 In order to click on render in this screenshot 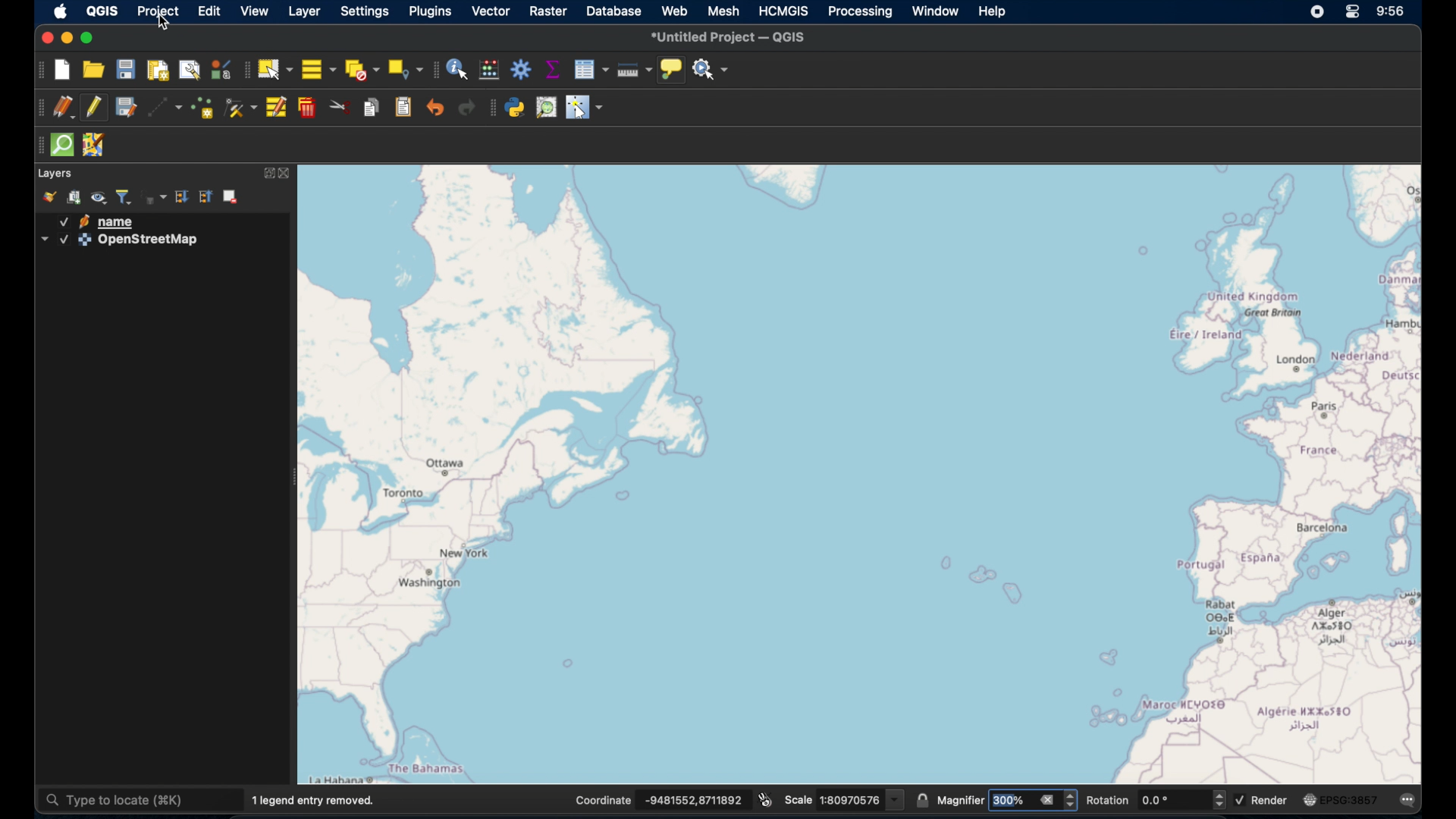, I will do `click(1263, 799)`.